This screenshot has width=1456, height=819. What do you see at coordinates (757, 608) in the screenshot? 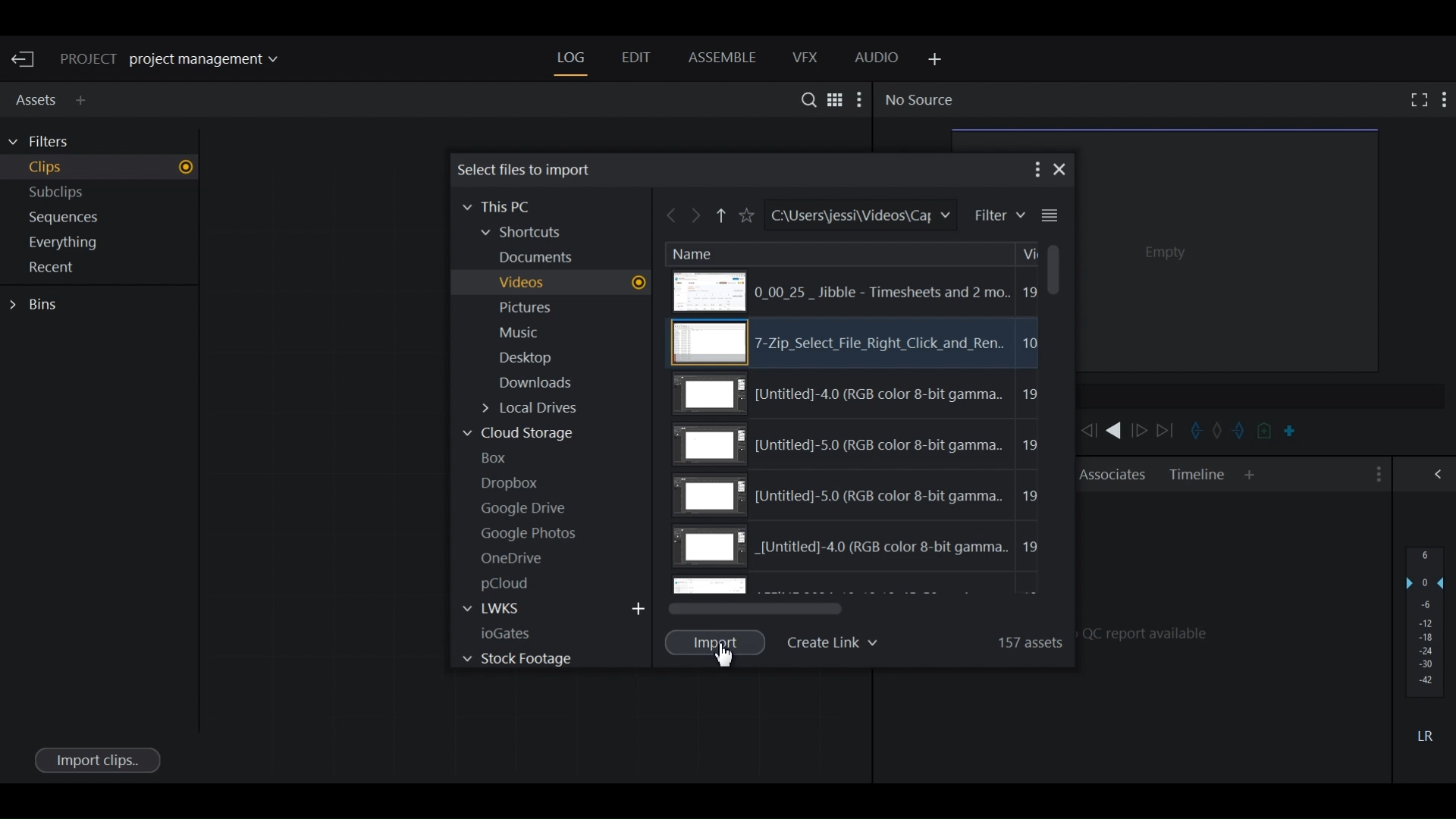
I see `Horizontal Scroll bar` at bounding box center [757, 608].